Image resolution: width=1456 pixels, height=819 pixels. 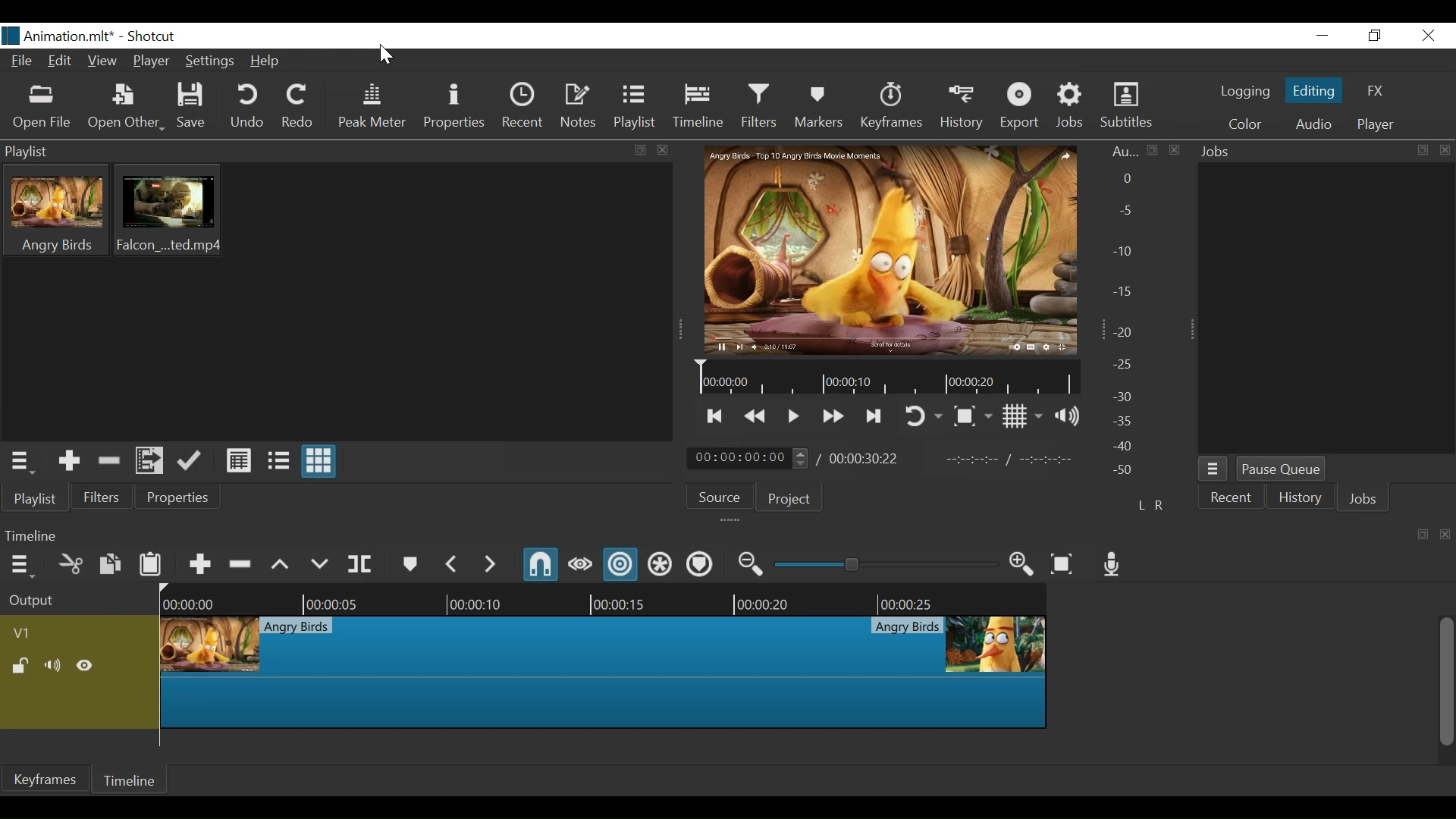 I want to click on View, so click(x=103, y=61).